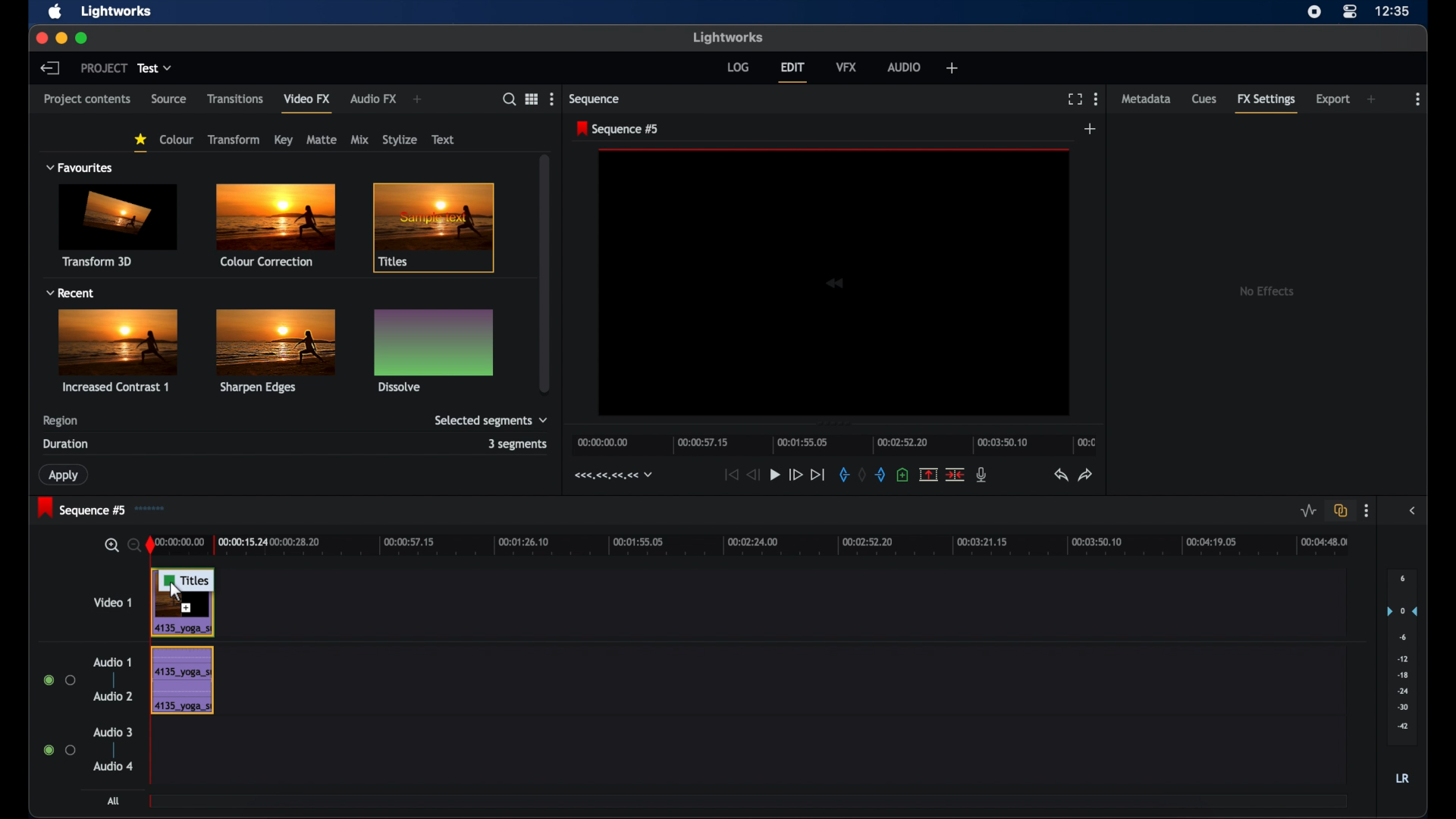  I want to click on video fx, so click(306, 98).